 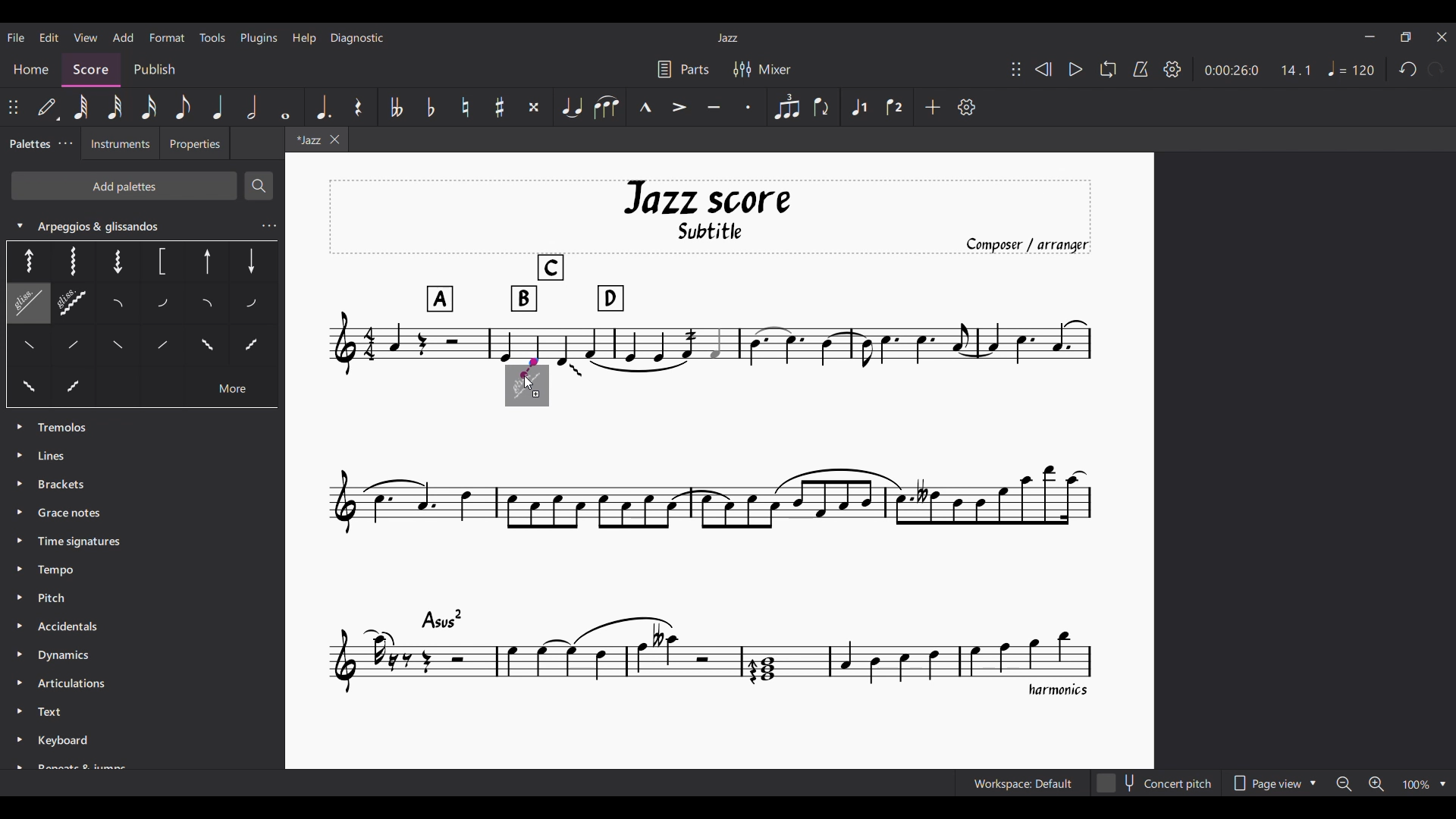 What do you see at coordinates (1406, 37) in the screenshot?
I see `Show in smaller tab` at bounding box center [1406, 37].